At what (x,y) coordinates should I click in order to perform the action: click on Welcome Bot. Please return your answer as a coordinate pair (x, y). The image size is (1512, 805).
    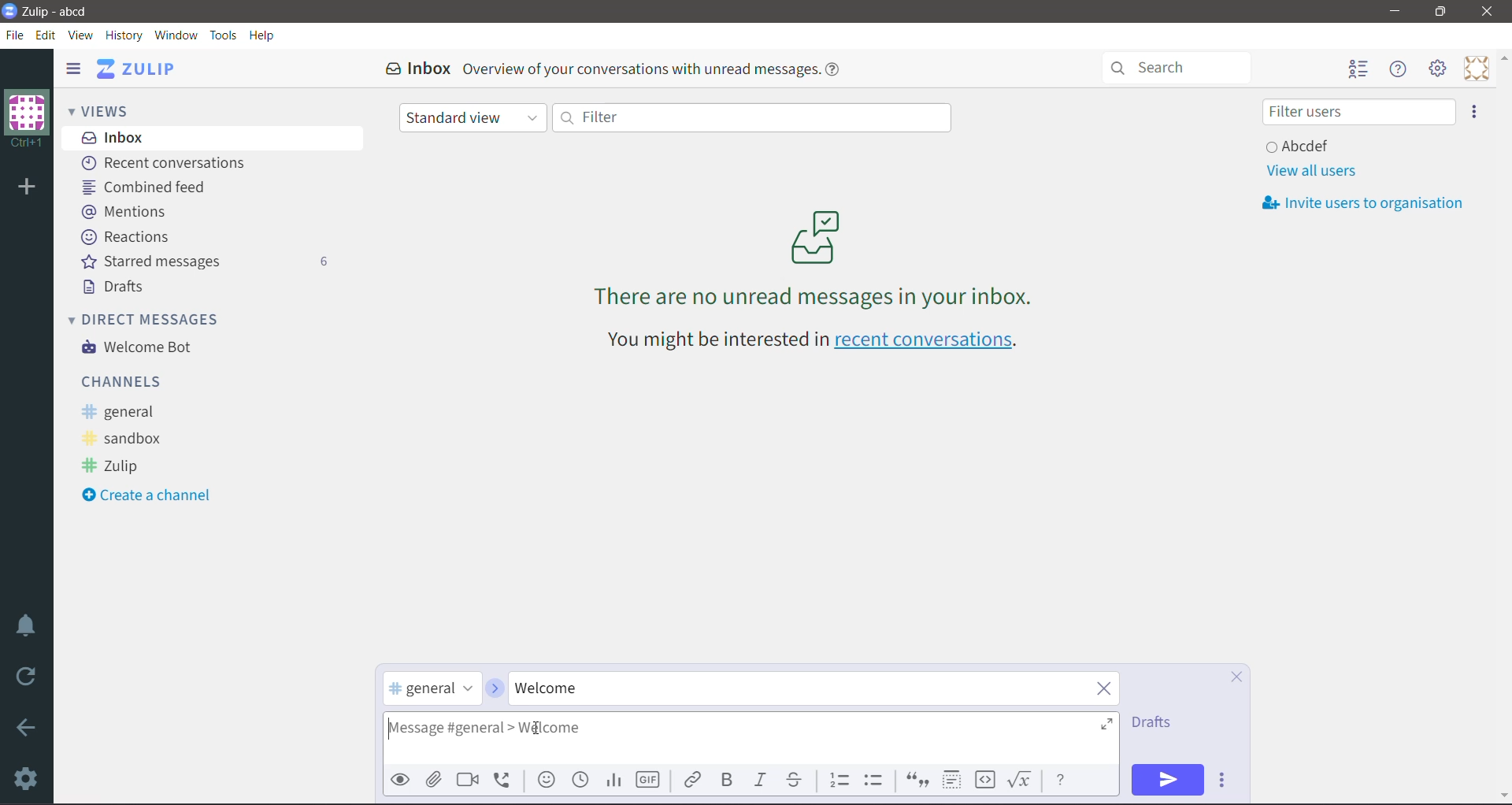
    Looking at the image, I should click on (141, 348).